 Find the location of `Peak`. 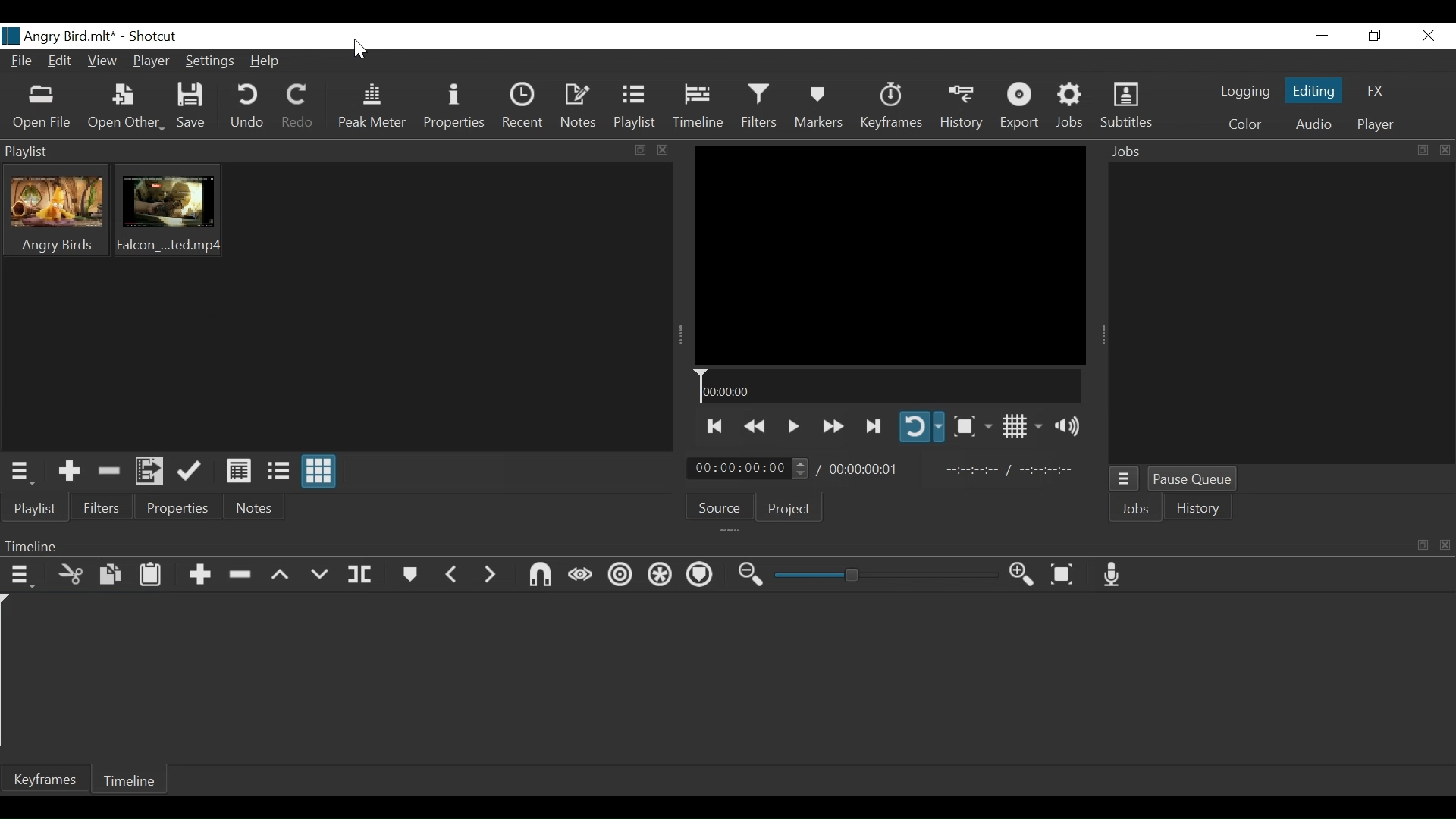

Peak is located at coordinates (373, 106).